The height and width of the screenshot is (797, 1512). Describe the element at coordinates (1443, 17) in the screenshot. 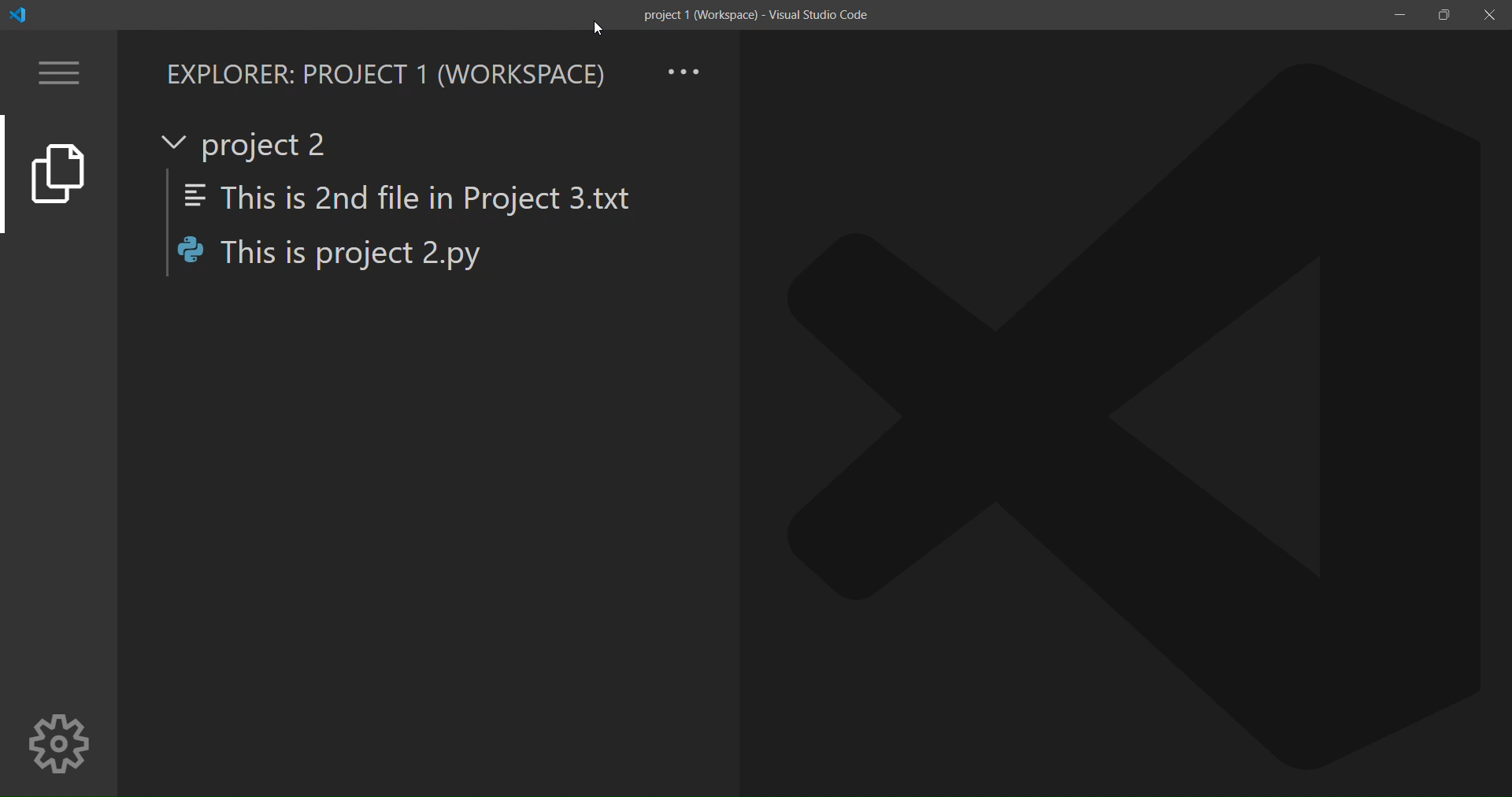

I see `maximize` at that location.